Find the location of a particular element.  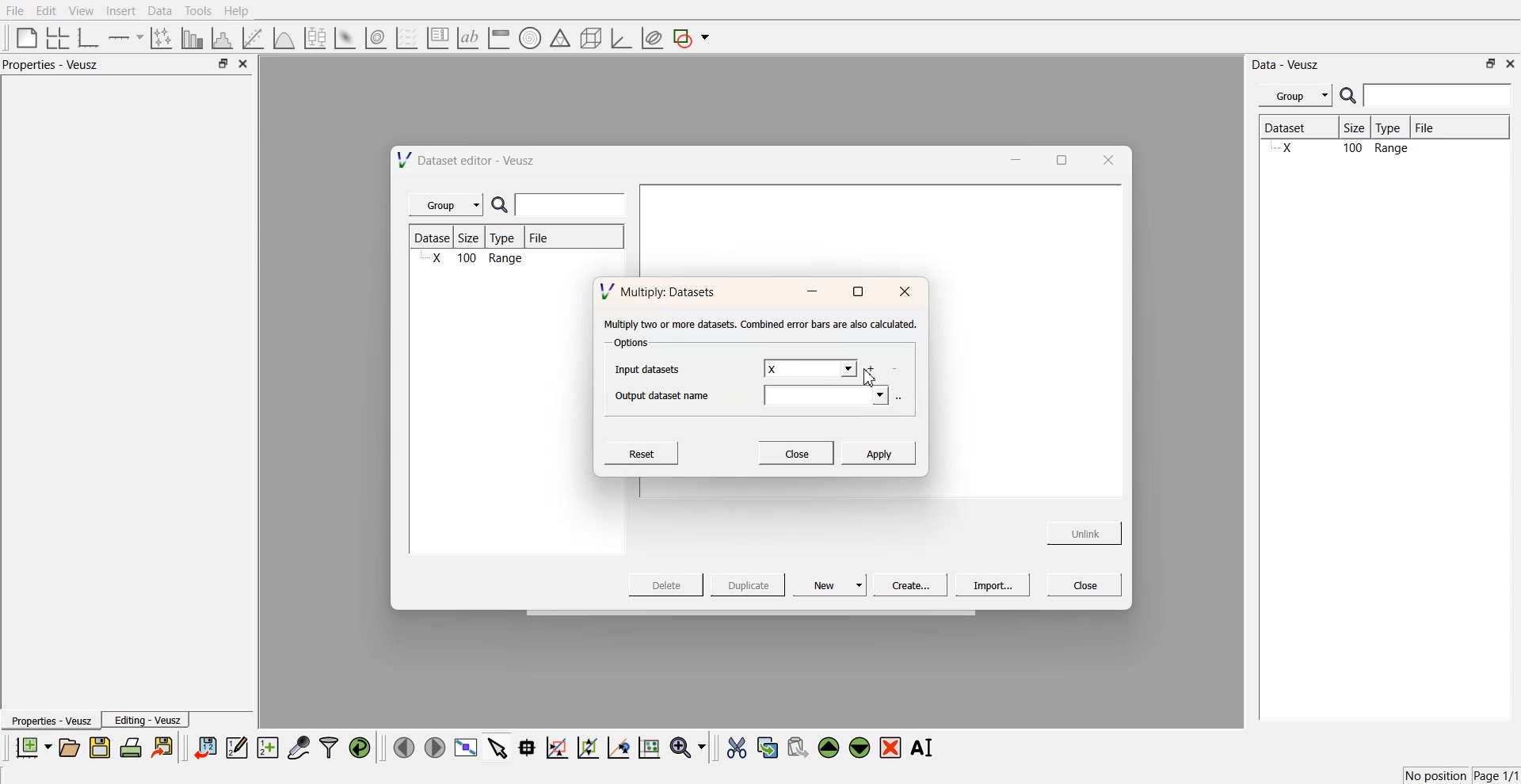

Dataset is located at coordinates (1298, 129).